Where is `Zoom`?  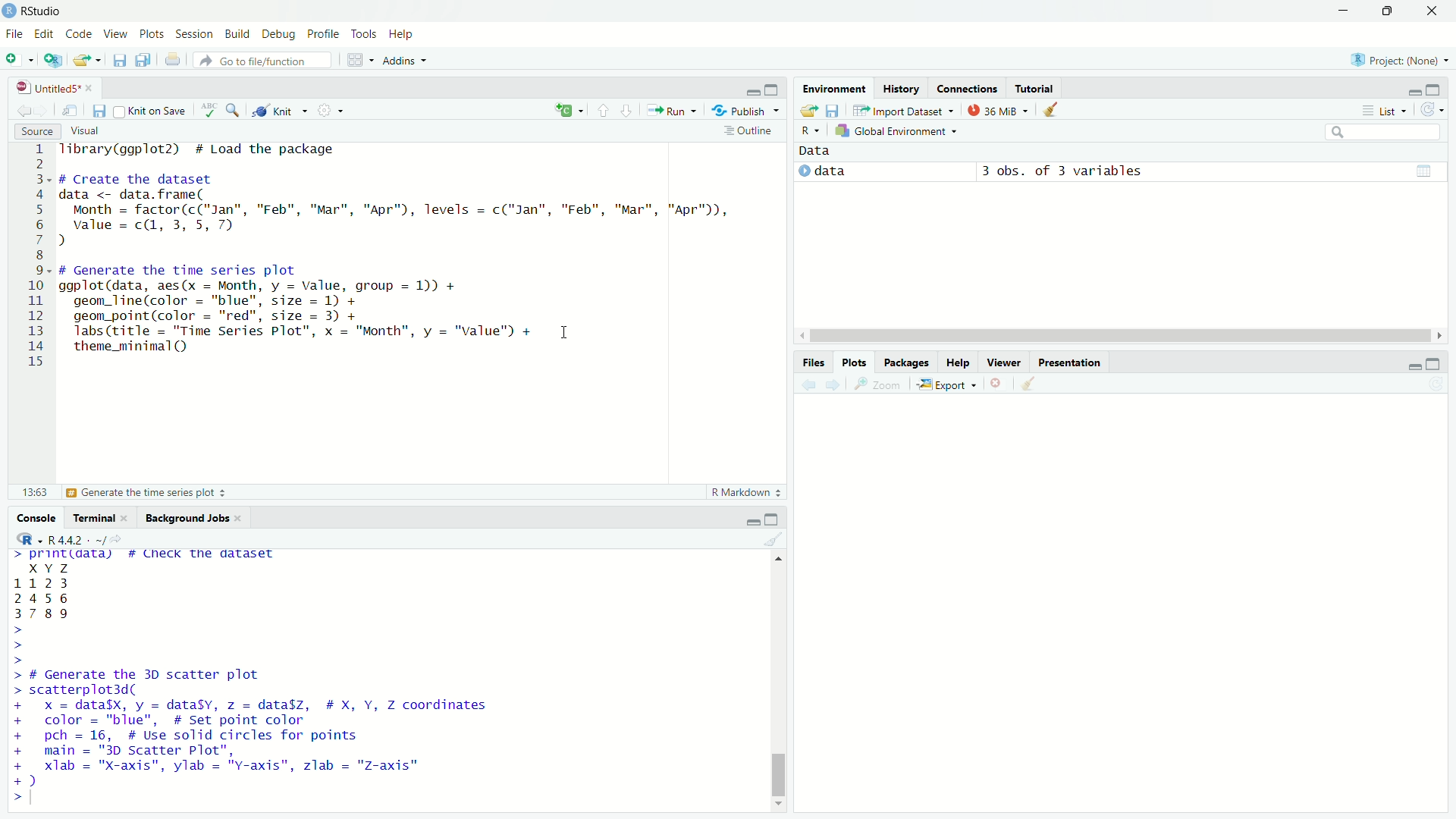
Zoom is located at coordinates (877, 385).